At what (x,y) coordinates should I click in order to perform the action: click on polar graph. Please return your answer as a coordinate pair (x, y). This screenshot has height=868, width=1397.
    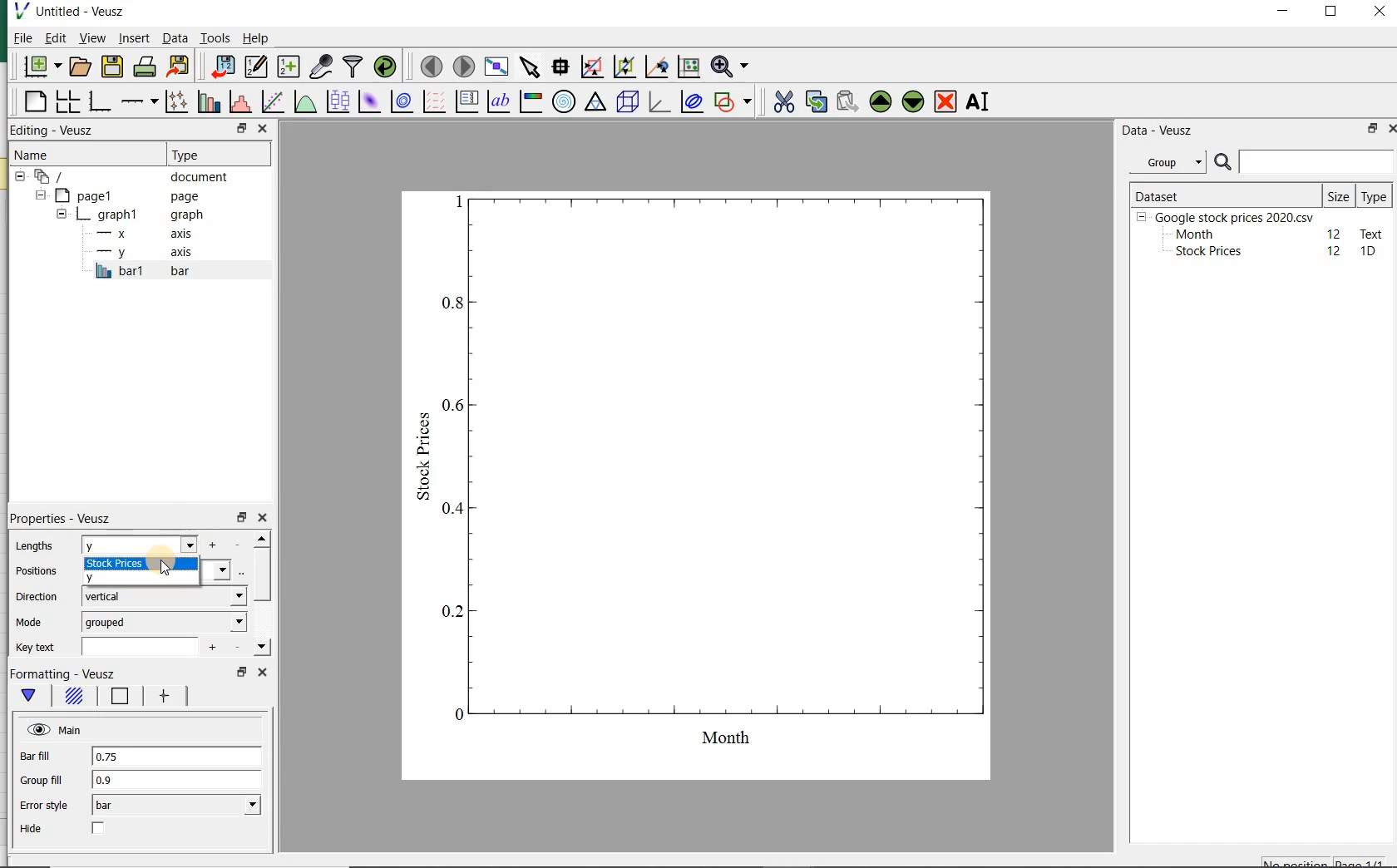
    Looking at the image, I should click on (563, 101).